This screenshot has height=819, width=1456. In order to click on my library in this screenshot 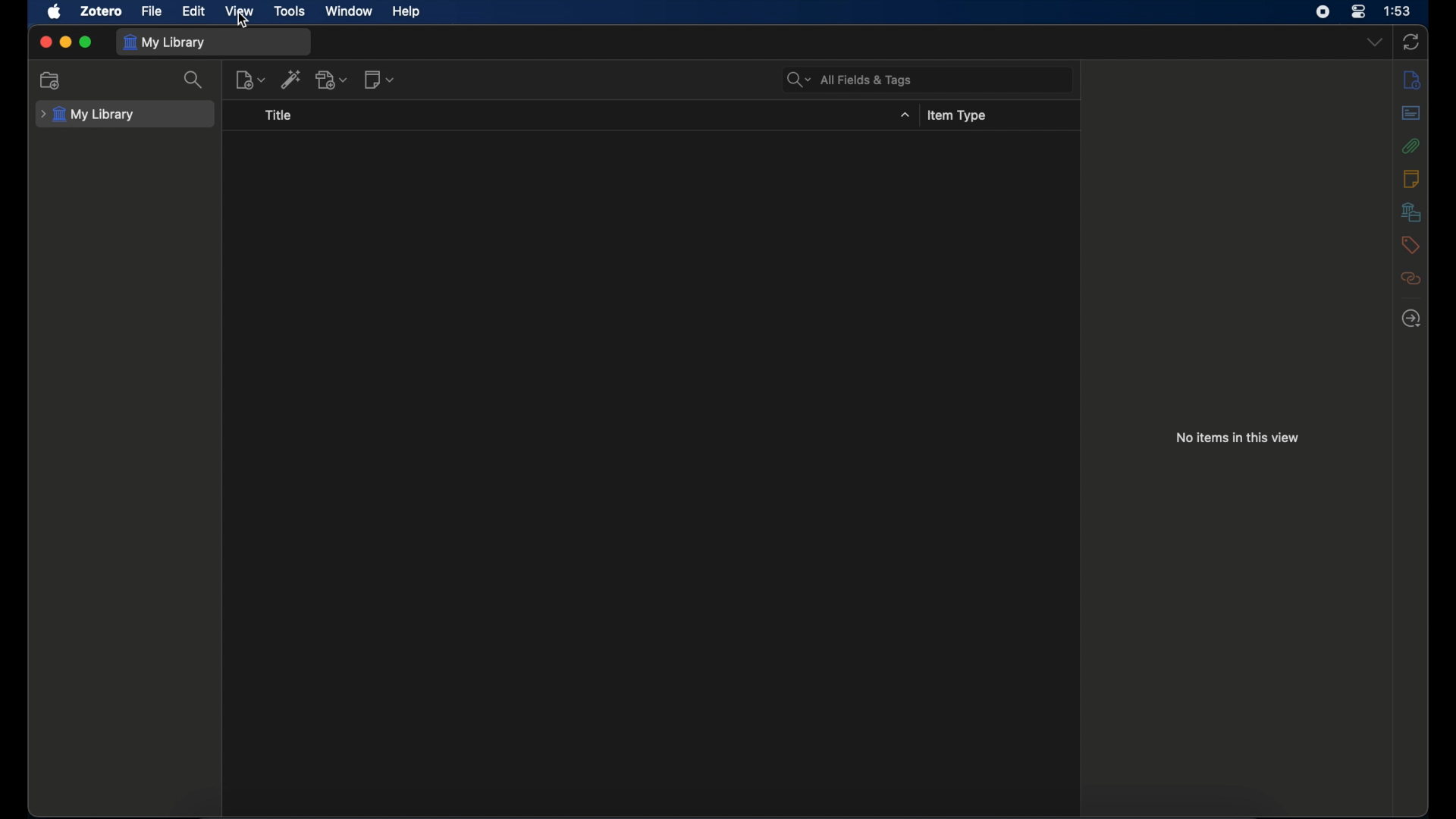, I will do `click(164, 43)`.